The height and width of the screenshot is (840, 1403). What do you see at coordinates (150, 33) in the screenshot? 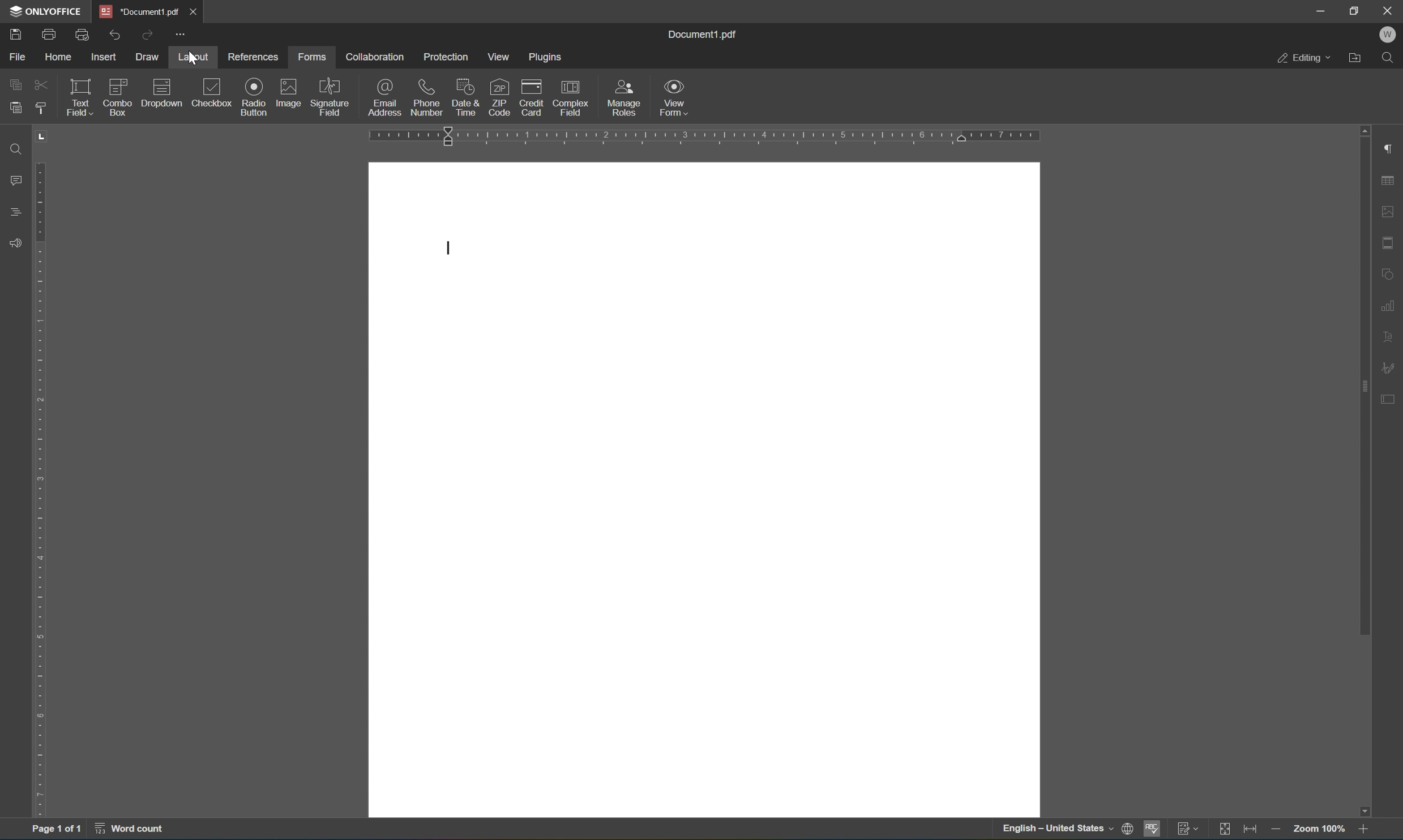
I see `redo` at bounding box center [150, 33].